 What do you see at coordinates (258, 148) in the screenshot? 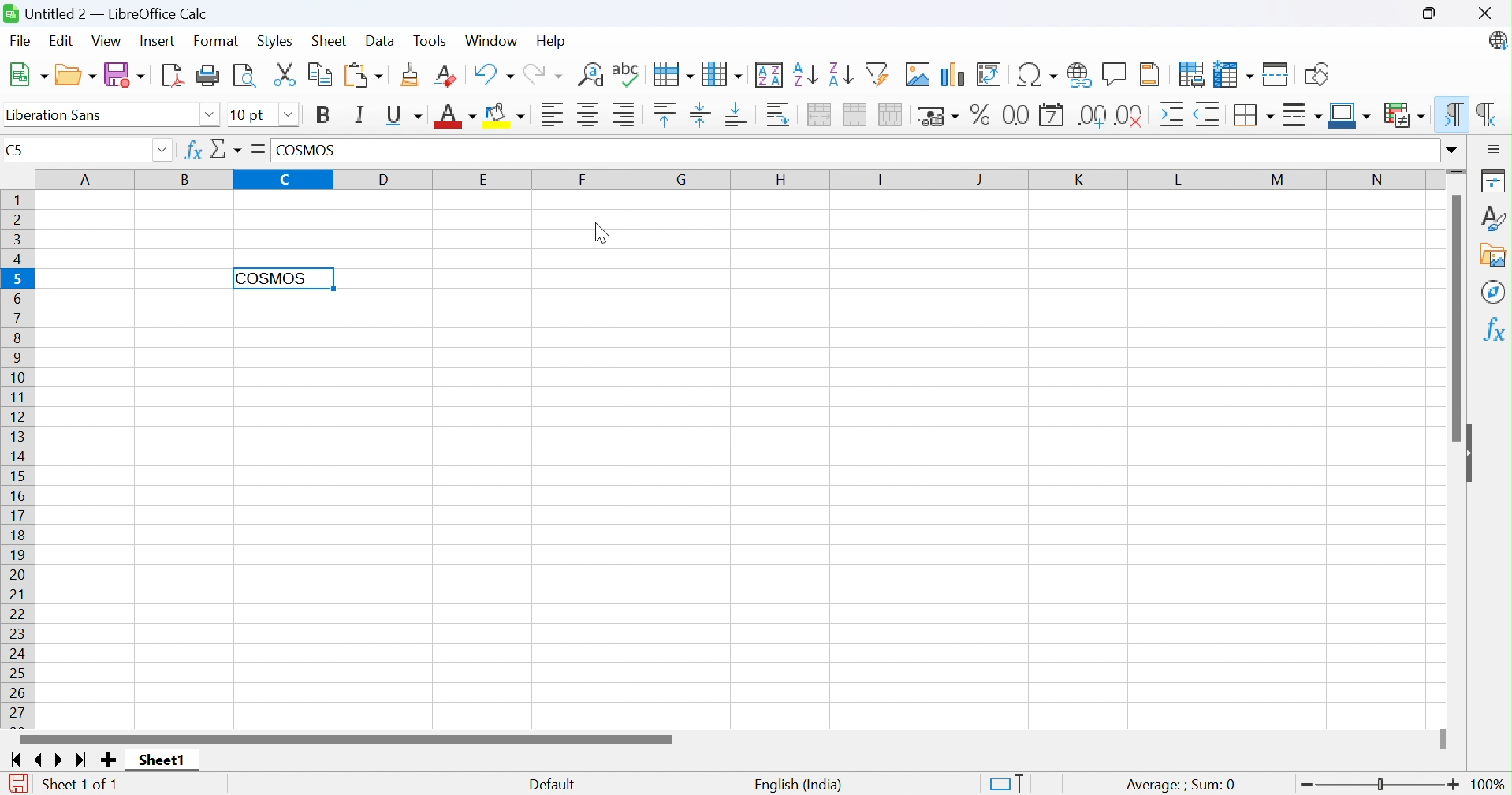
I see `Formula` at bounding box center [258, 148].